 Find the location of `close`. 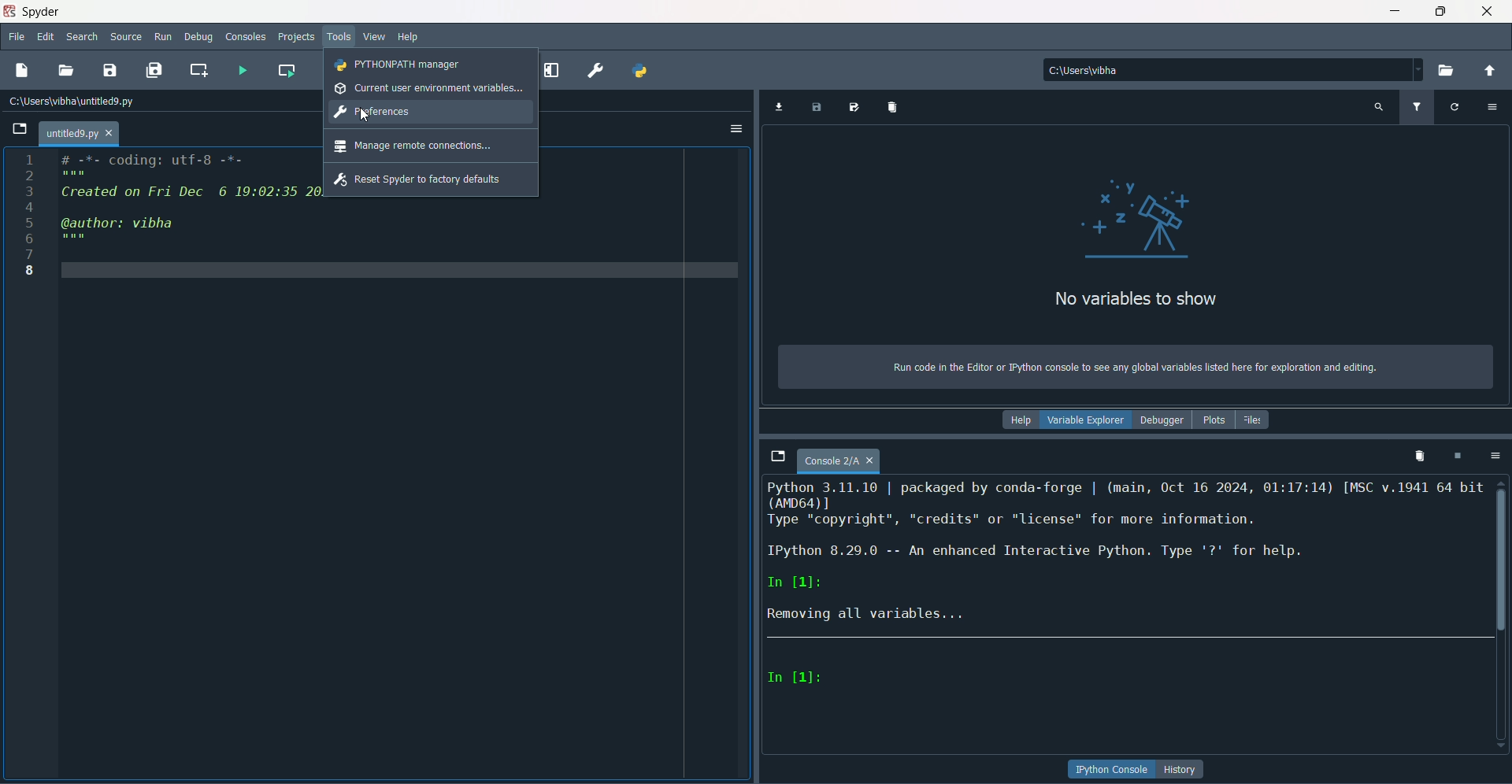

close is located at coordinates (1488, 11).